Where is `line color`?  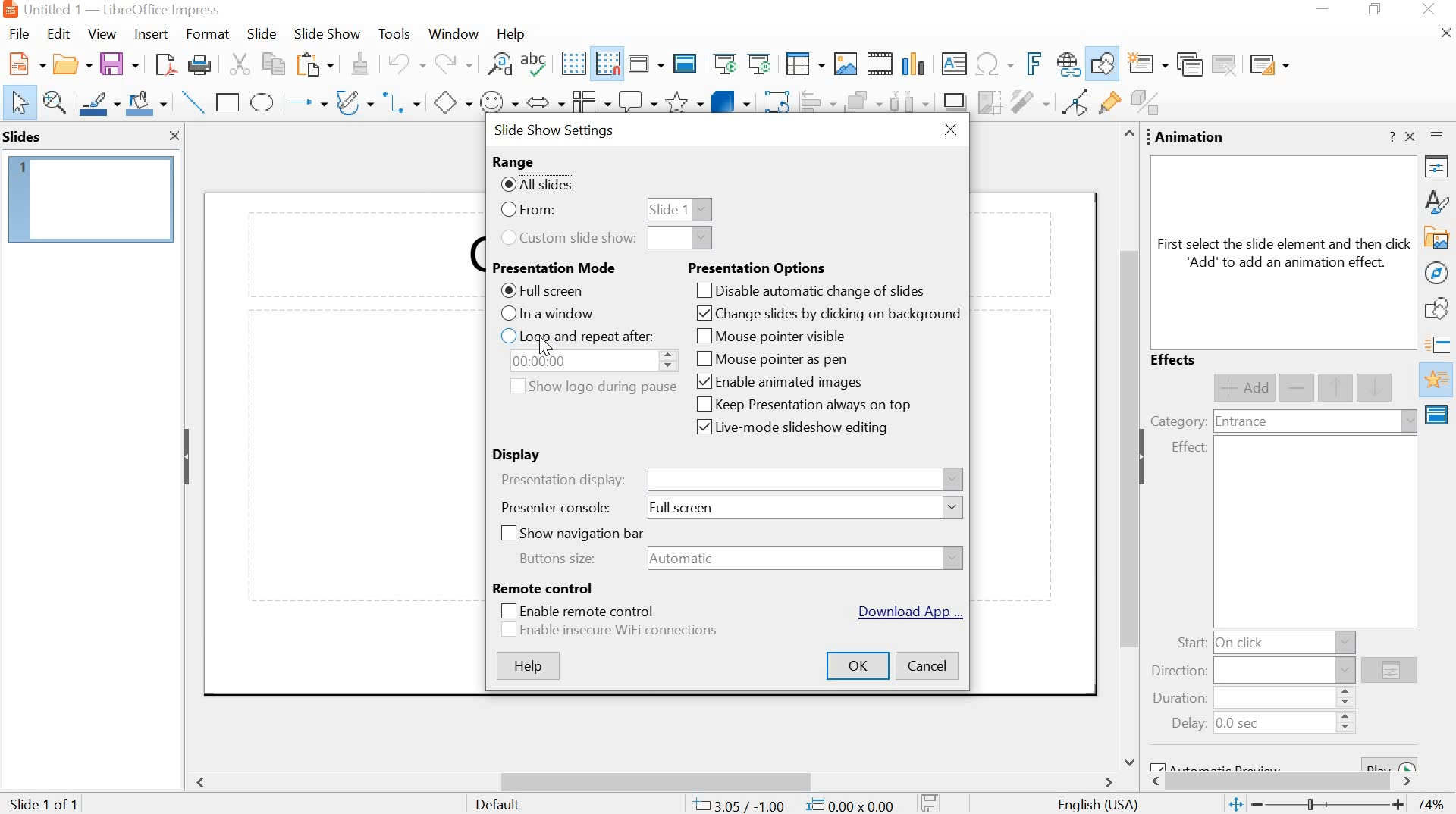 line color is located at coordinates (99, 102).